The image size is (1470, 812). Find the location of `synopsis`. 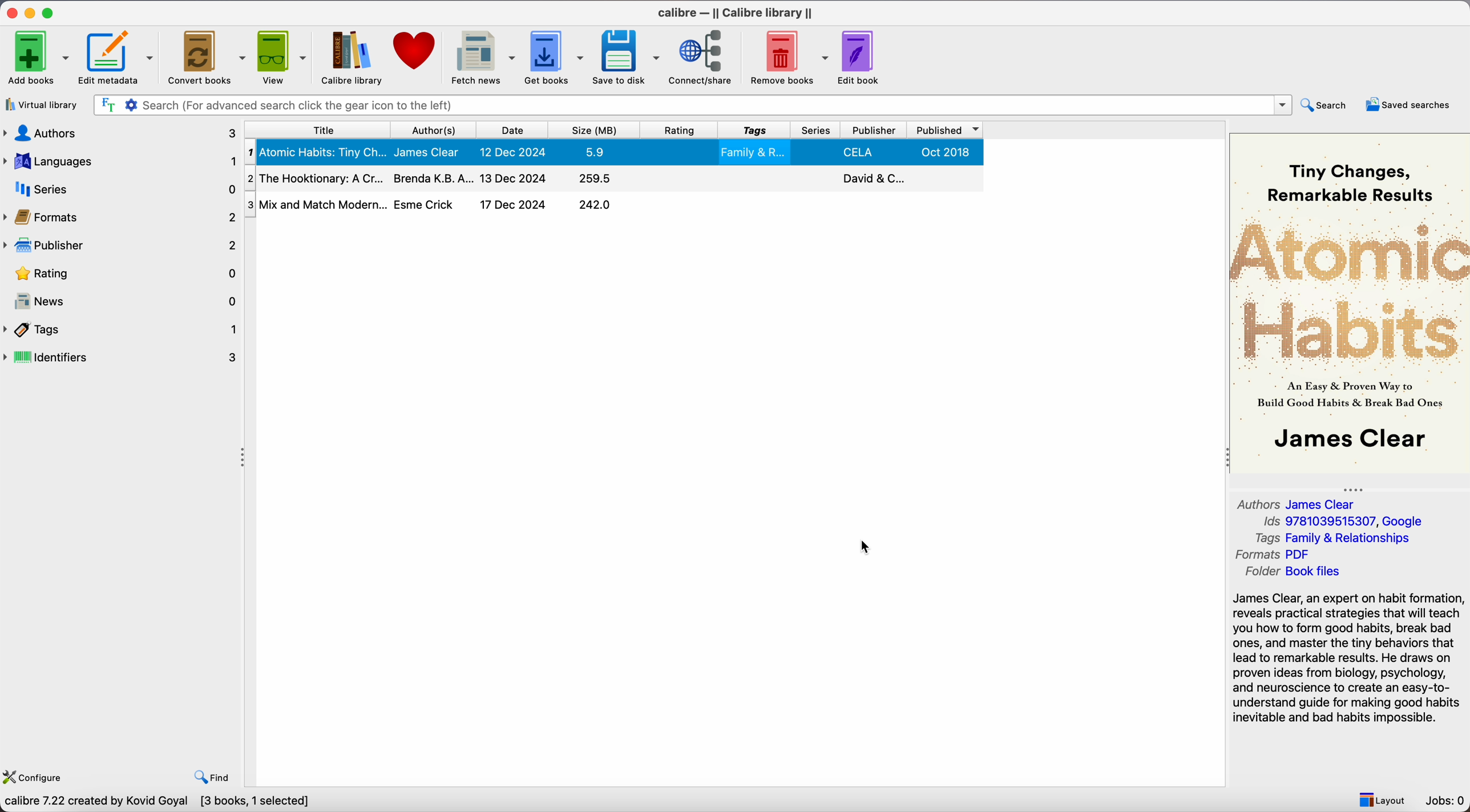

synopsis is located at coordinates (1348, 660).